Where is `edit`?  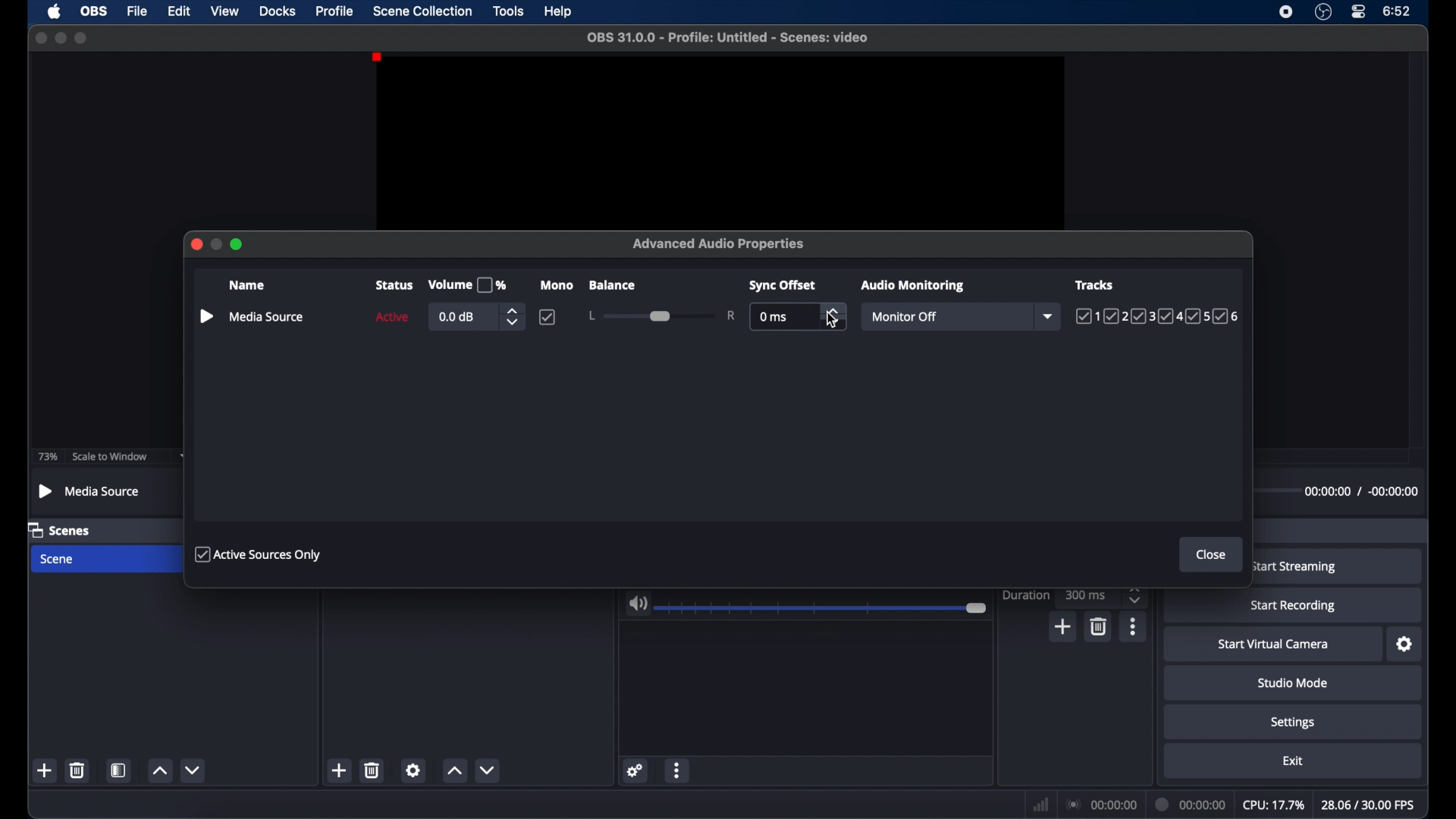
edit is located at coordinates (179, 11).